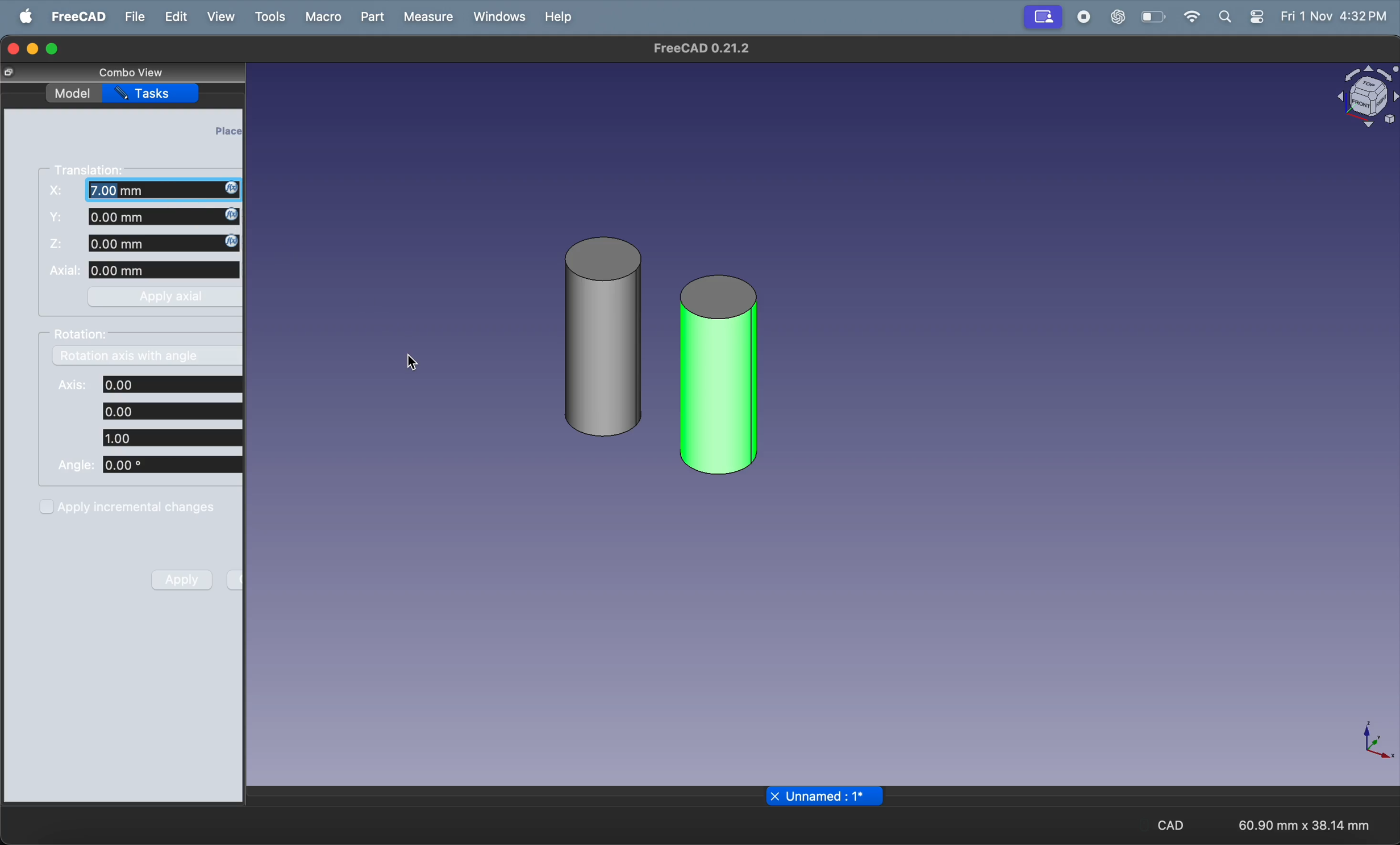 Image resolution: width=1400 pixels, height=845 pixels. What do you see at coordinates (74, 16) in the screenshot?
I see `freecad` at bounding box center [74, 16].